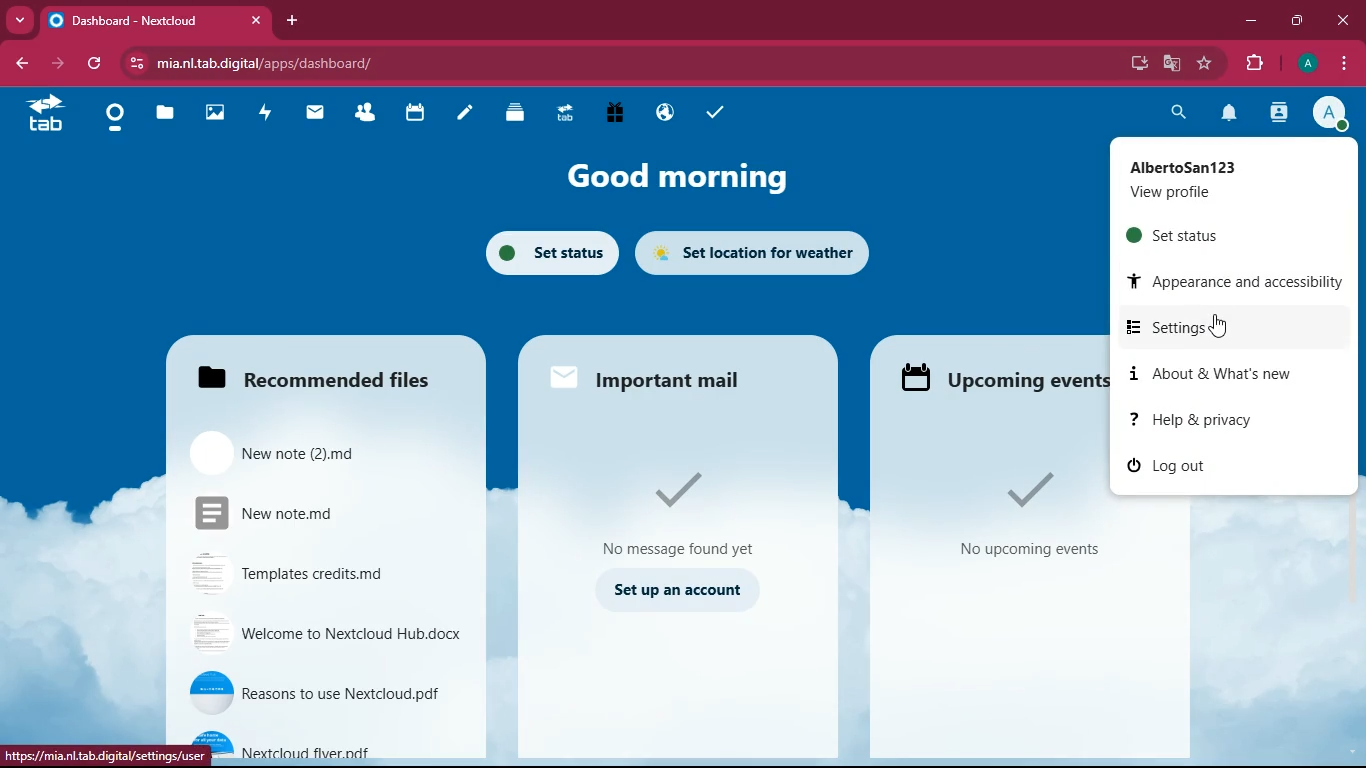 The height and width of the screenshot is (768, 1366). What do you see at coordinates (325, 635) in the screenshot?
I see `Welcome to Nextcloud hub.docx` at bounding box center [325, 635].